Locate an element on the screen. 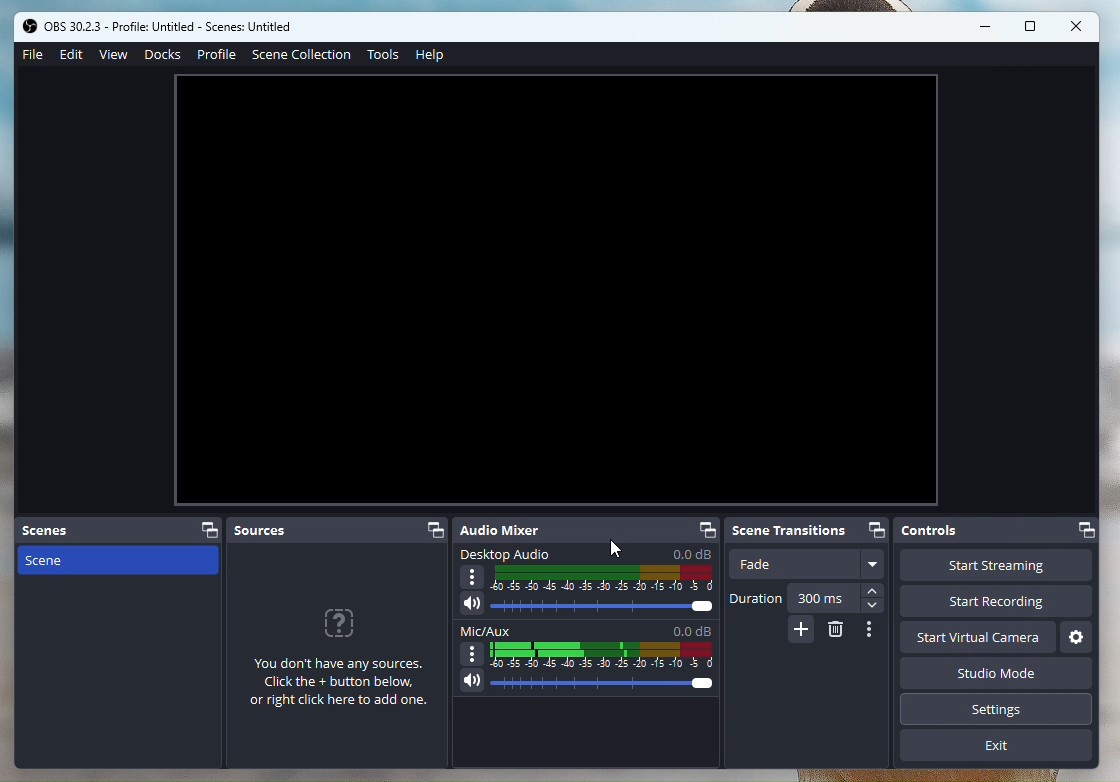 Image resolution: width=1120 pixels, height=782 pixels. Scene Transitions is located at coordinates (808, 530).